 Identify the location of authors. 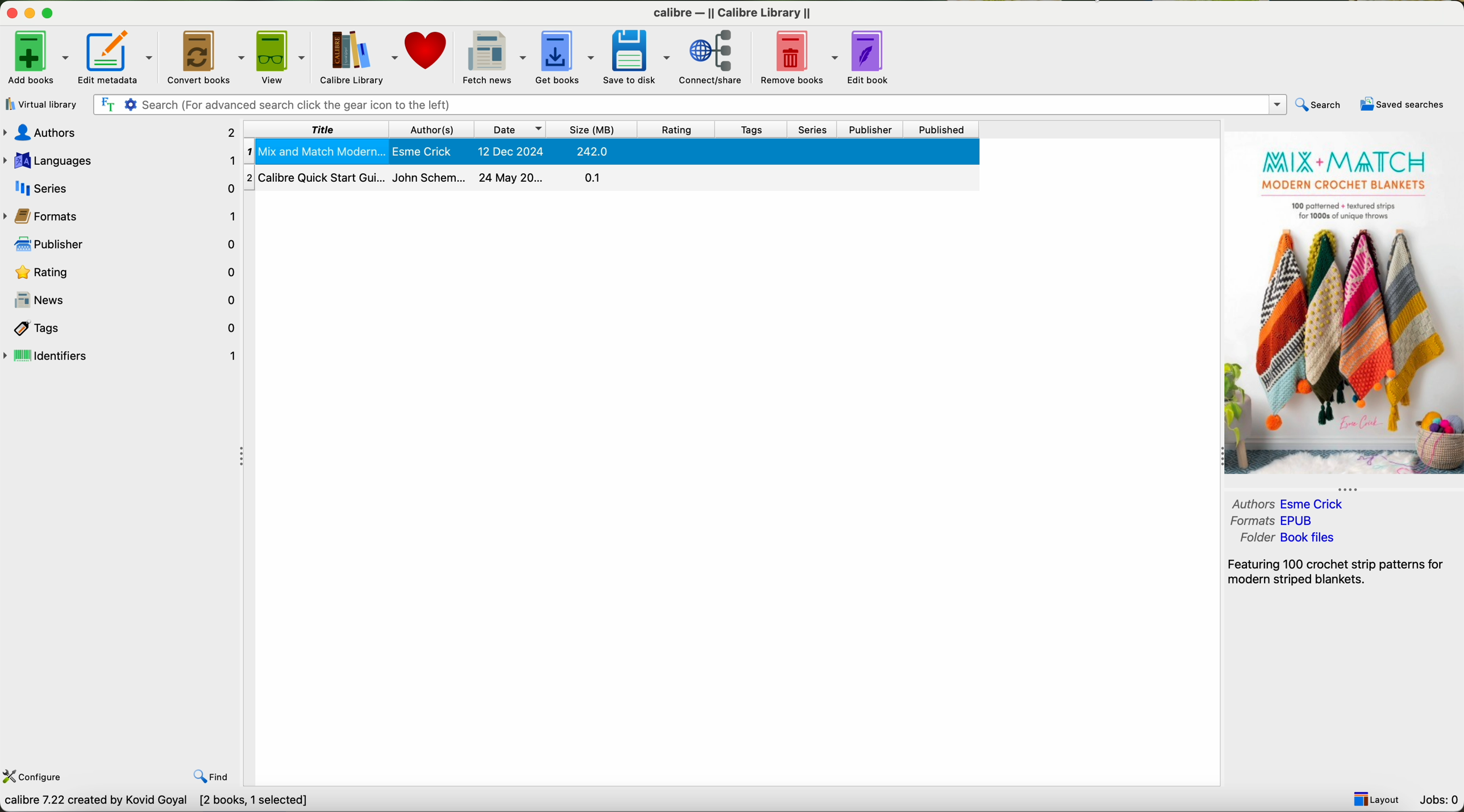
(120, 134).